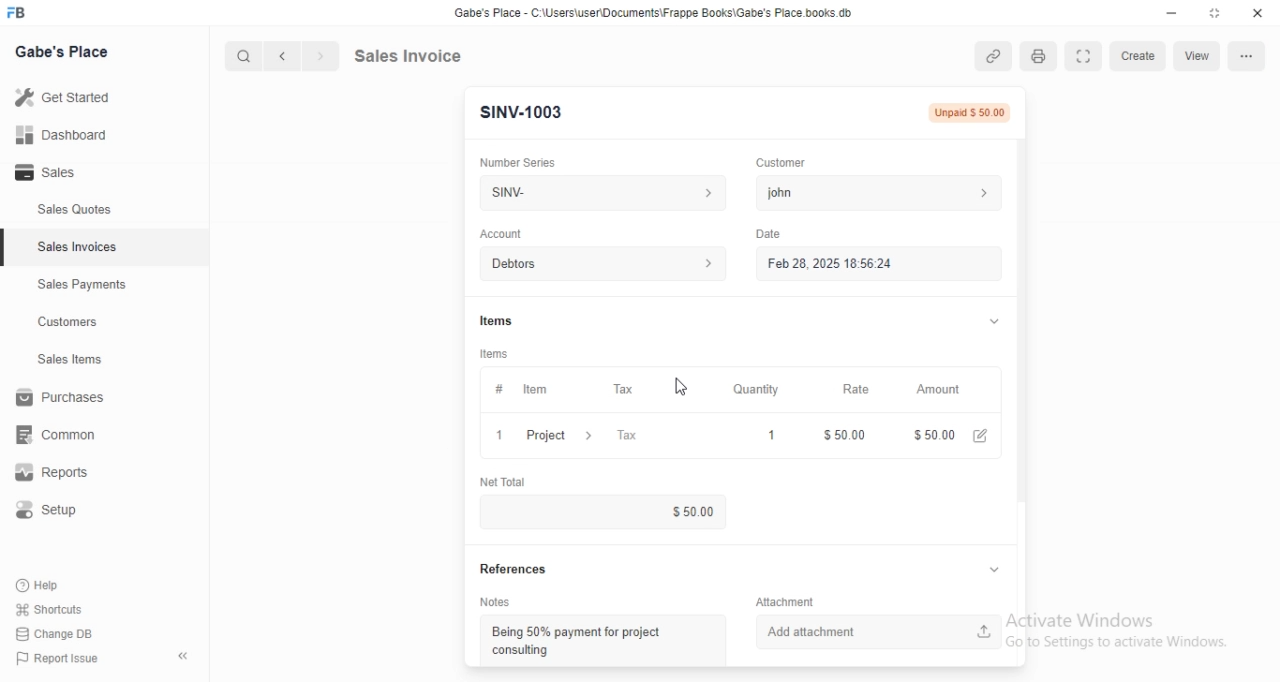 The width and height of the screenshot is (1280, 682). I want to click on expand, so click(1082, 57).